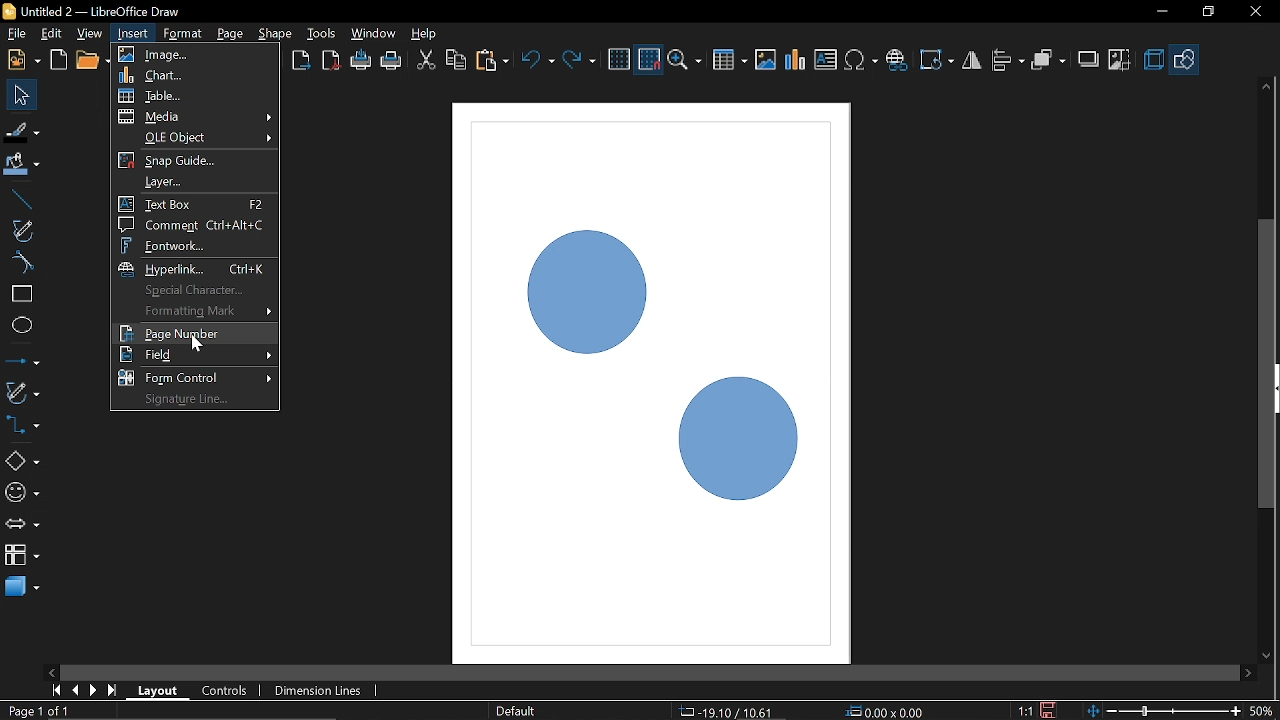  I want to click on Help, so click(426, 33).